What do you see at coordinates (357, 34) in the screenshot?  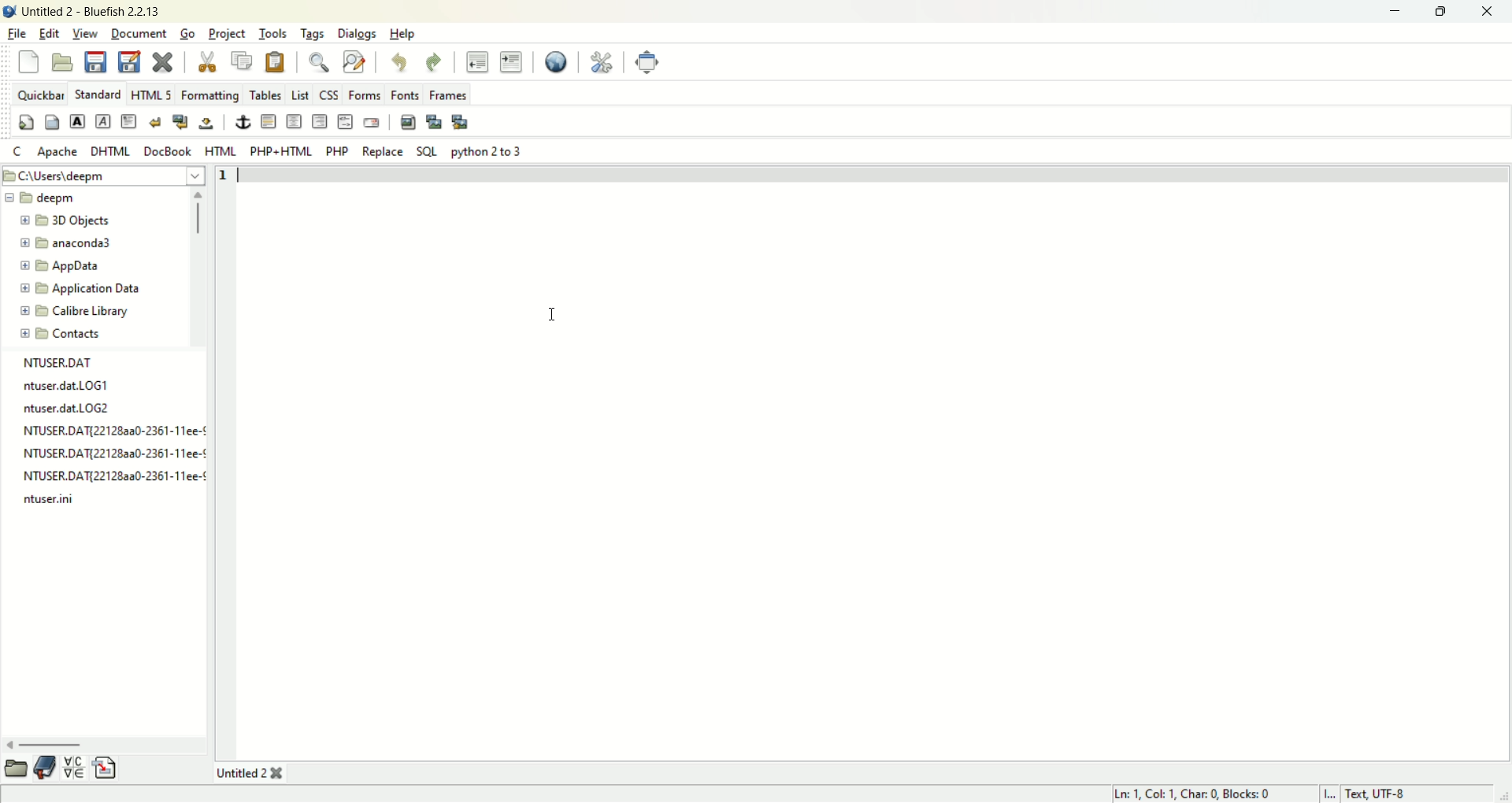 I see `dialogs` at bounding box center [357, 34].